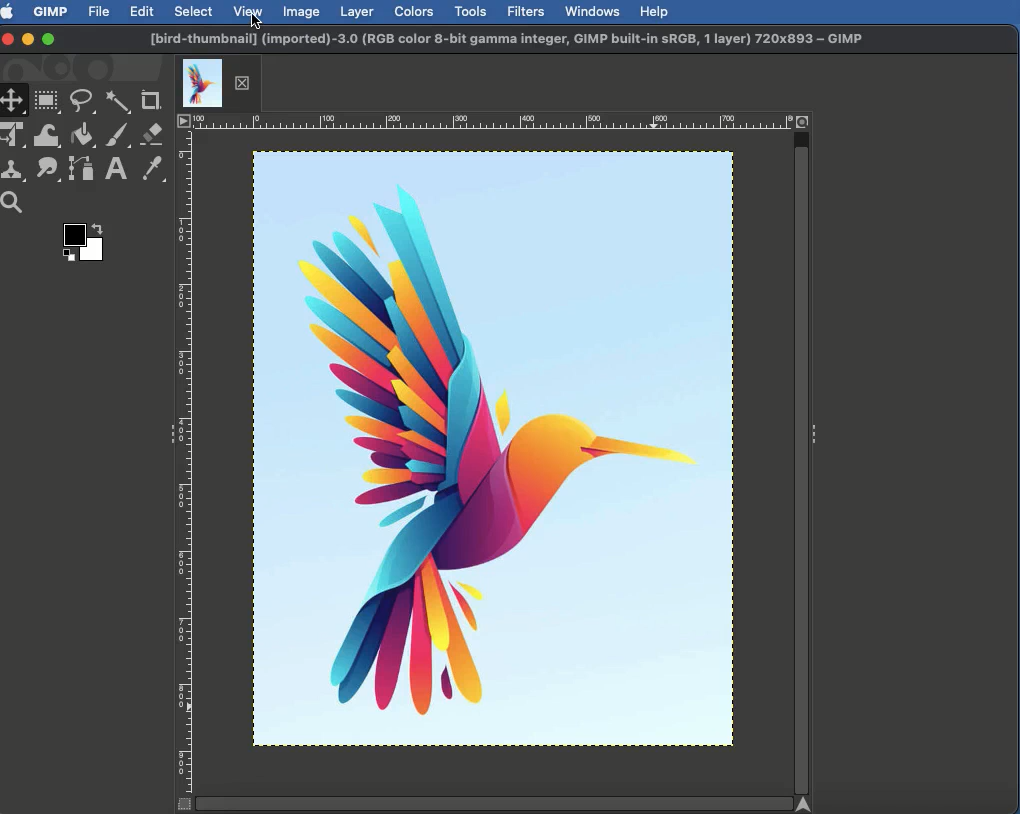  What do you see at coordinates (81, 137) in the screenshot?
I see `Fill color` at bounding box center [81, 137].